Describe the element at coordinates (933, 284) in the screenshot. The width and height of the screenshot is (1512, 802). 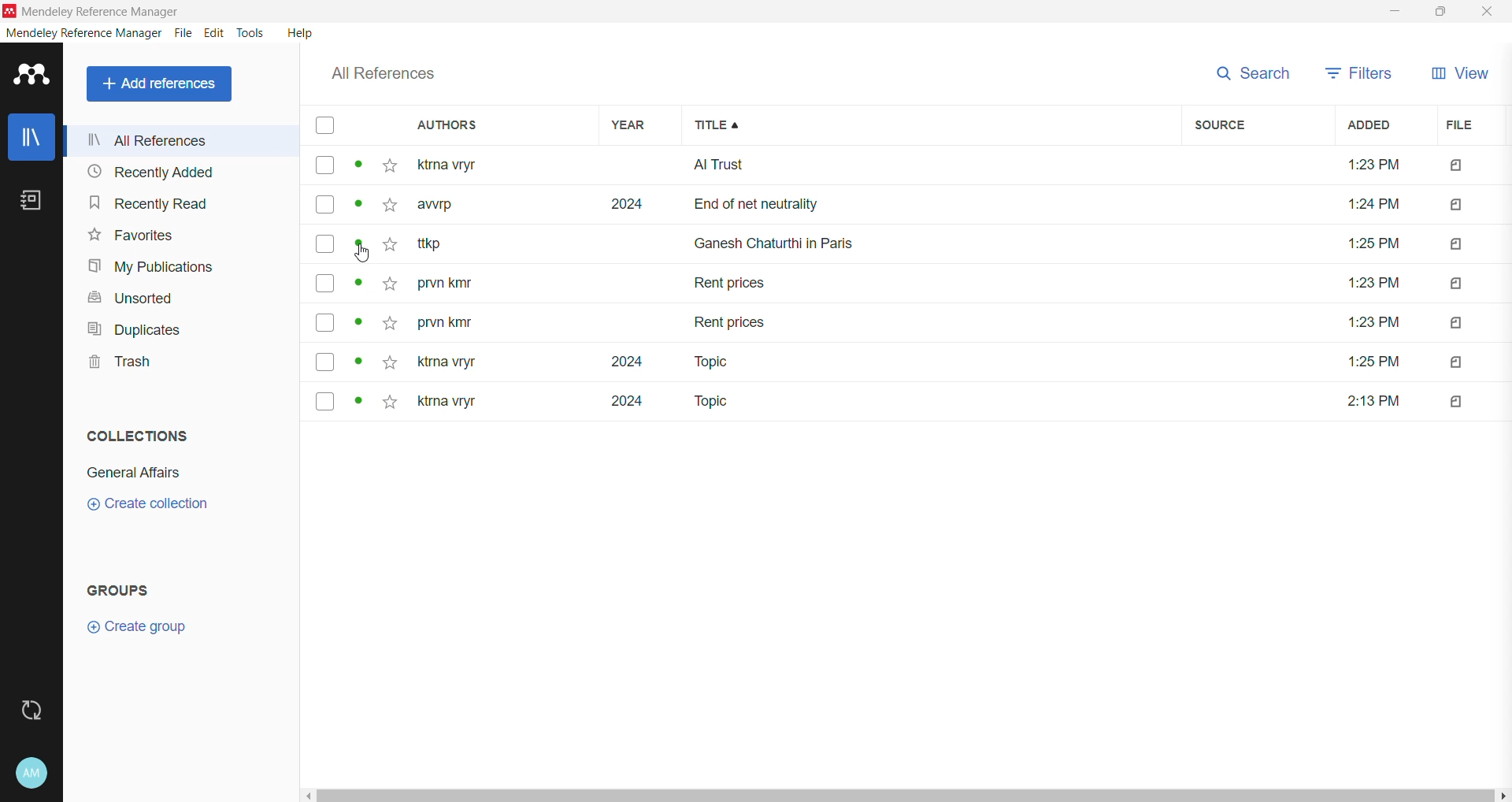
I see `Titles of the references available in the Library` at that location.